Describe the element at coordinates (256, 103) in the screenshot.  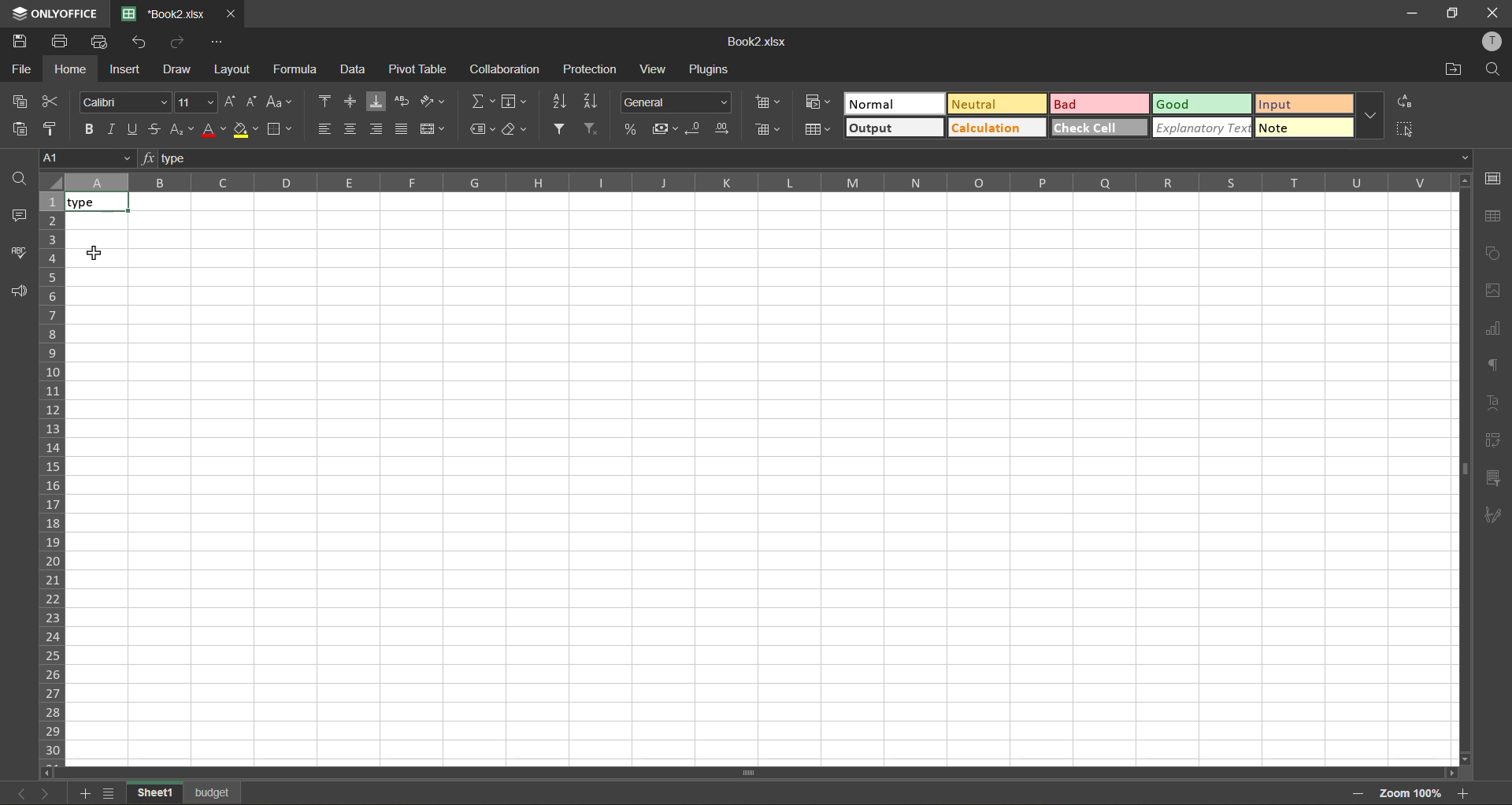
I see `decrement size` at that location.